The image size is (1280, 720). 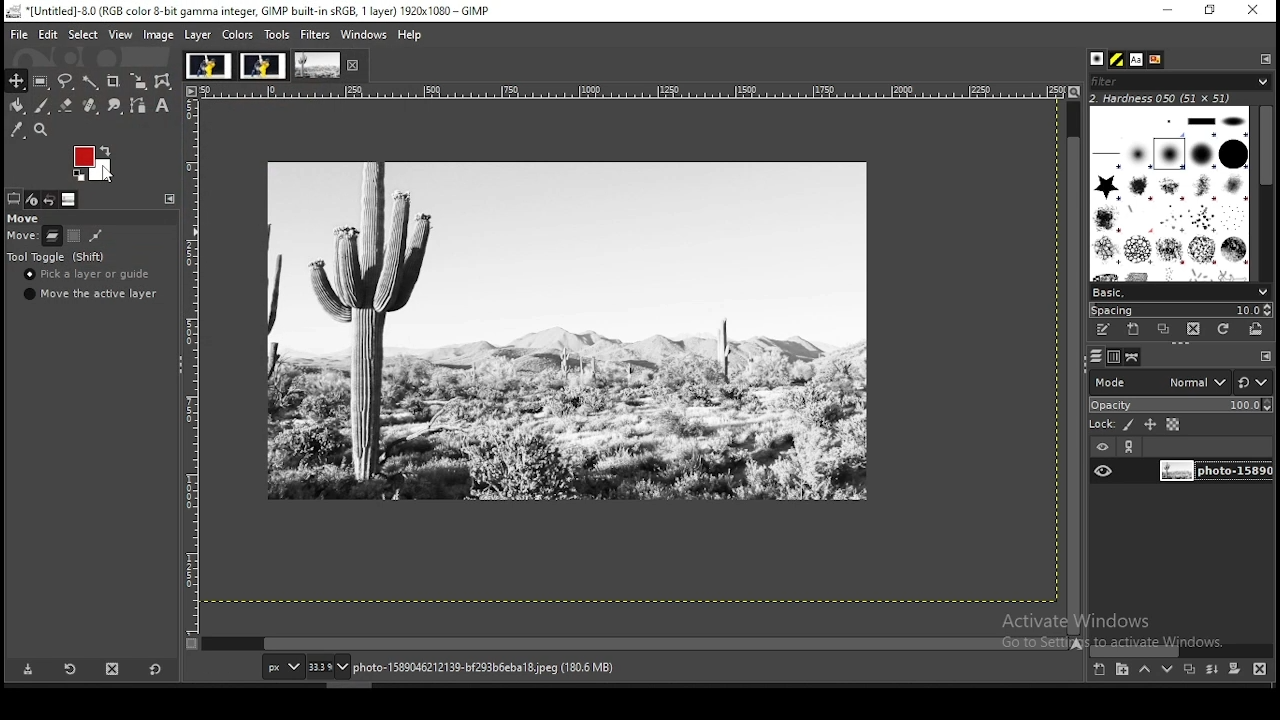 What do you see at coordinates (17, 33) in the screenshot?
I see `file` at bounding box center [17, 33].